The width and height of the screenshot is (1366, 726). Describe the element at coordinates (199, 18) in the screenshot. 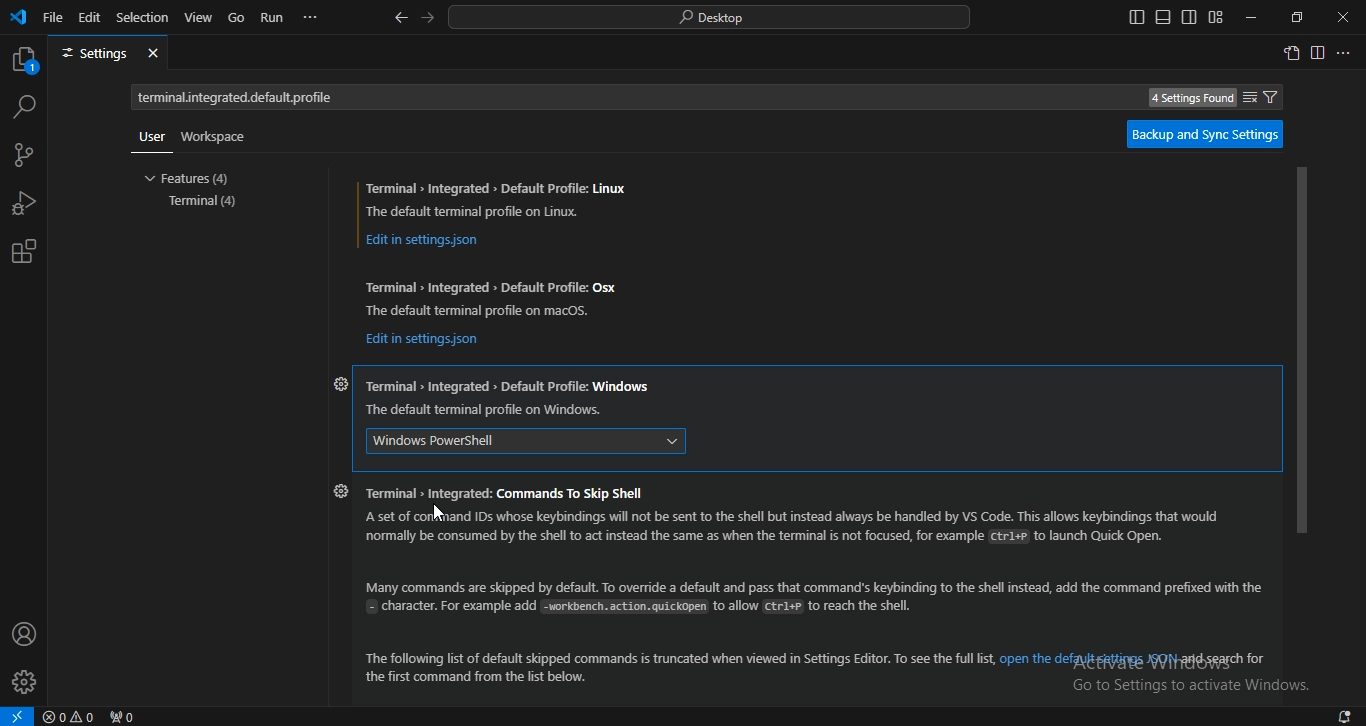

I see `view` at that location.